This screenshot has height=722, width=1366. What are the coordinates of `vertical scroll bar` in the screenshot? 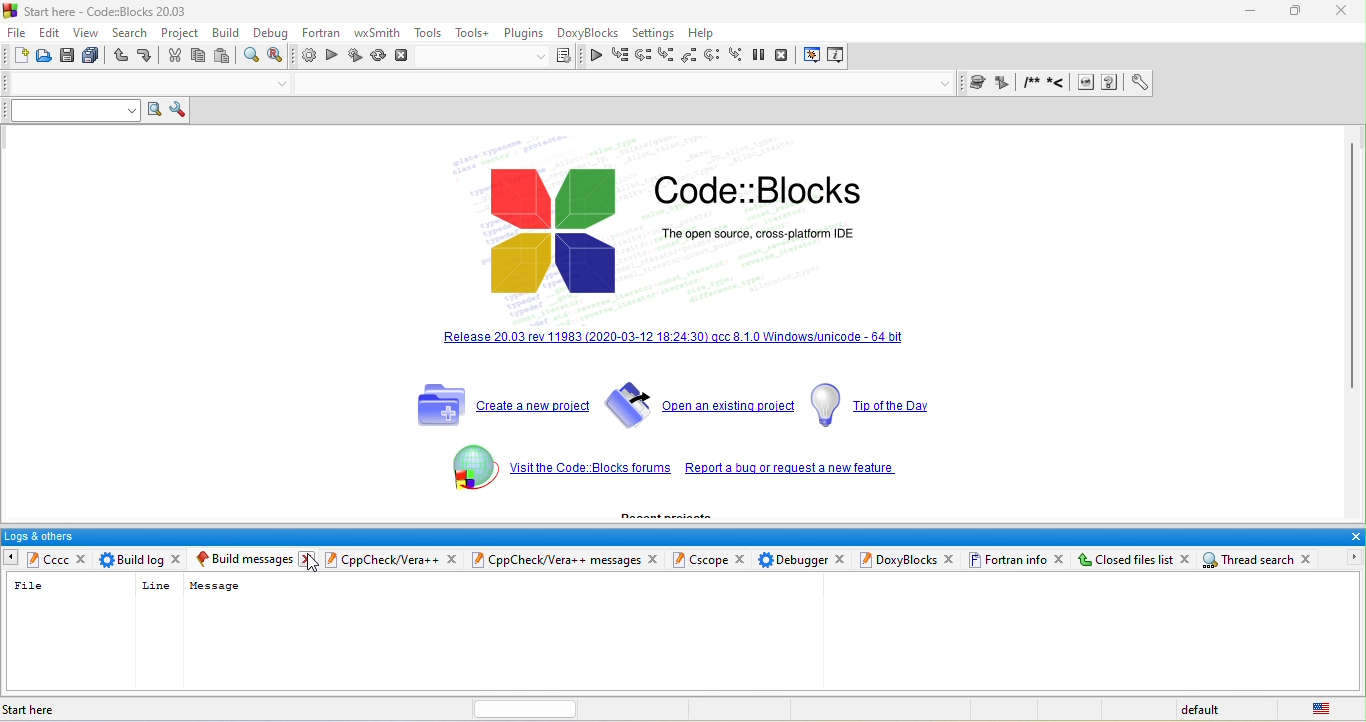 It's located at (1357, 269).